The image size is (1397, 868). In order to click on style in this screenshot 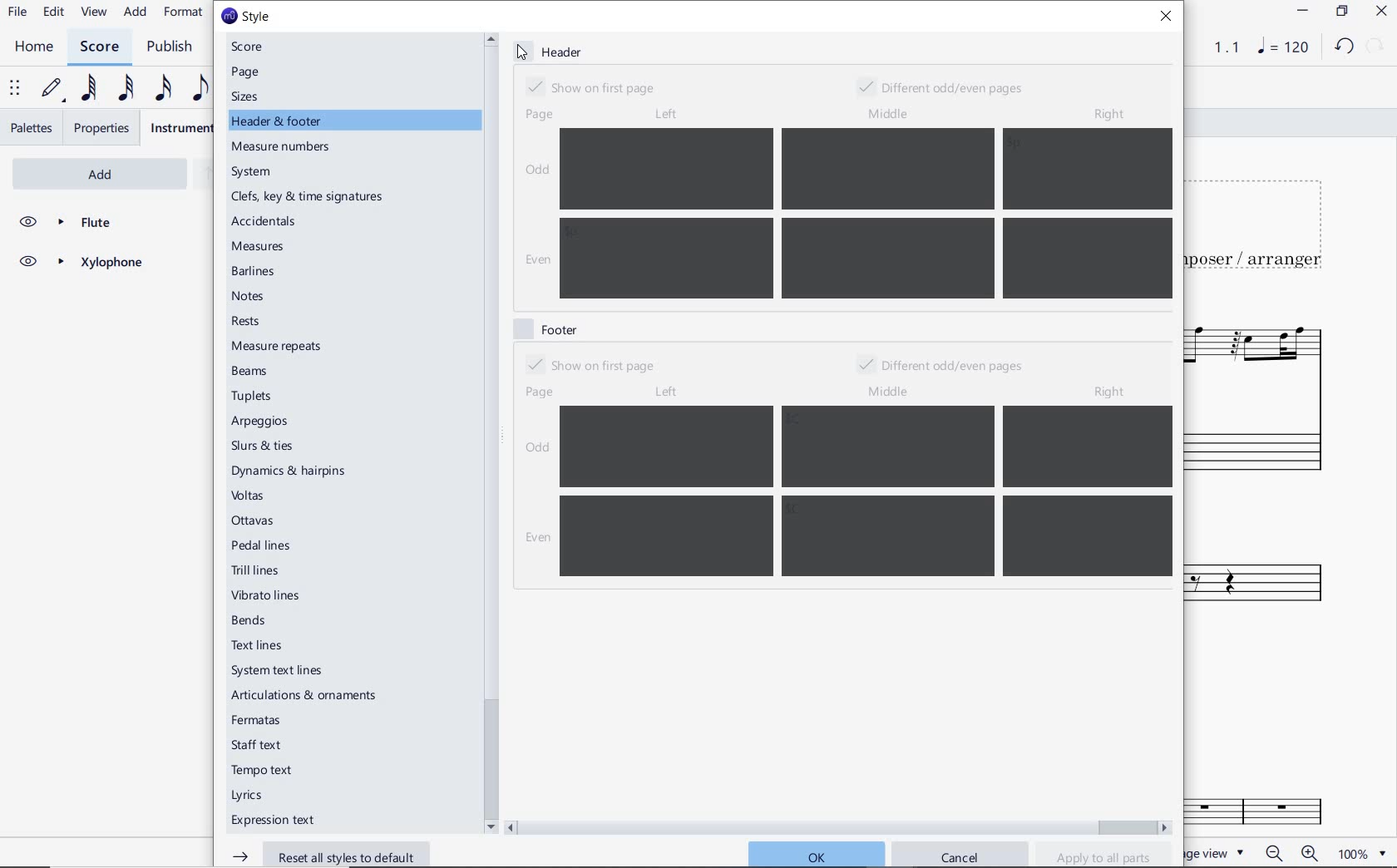, I will do `click(245, 17)`.